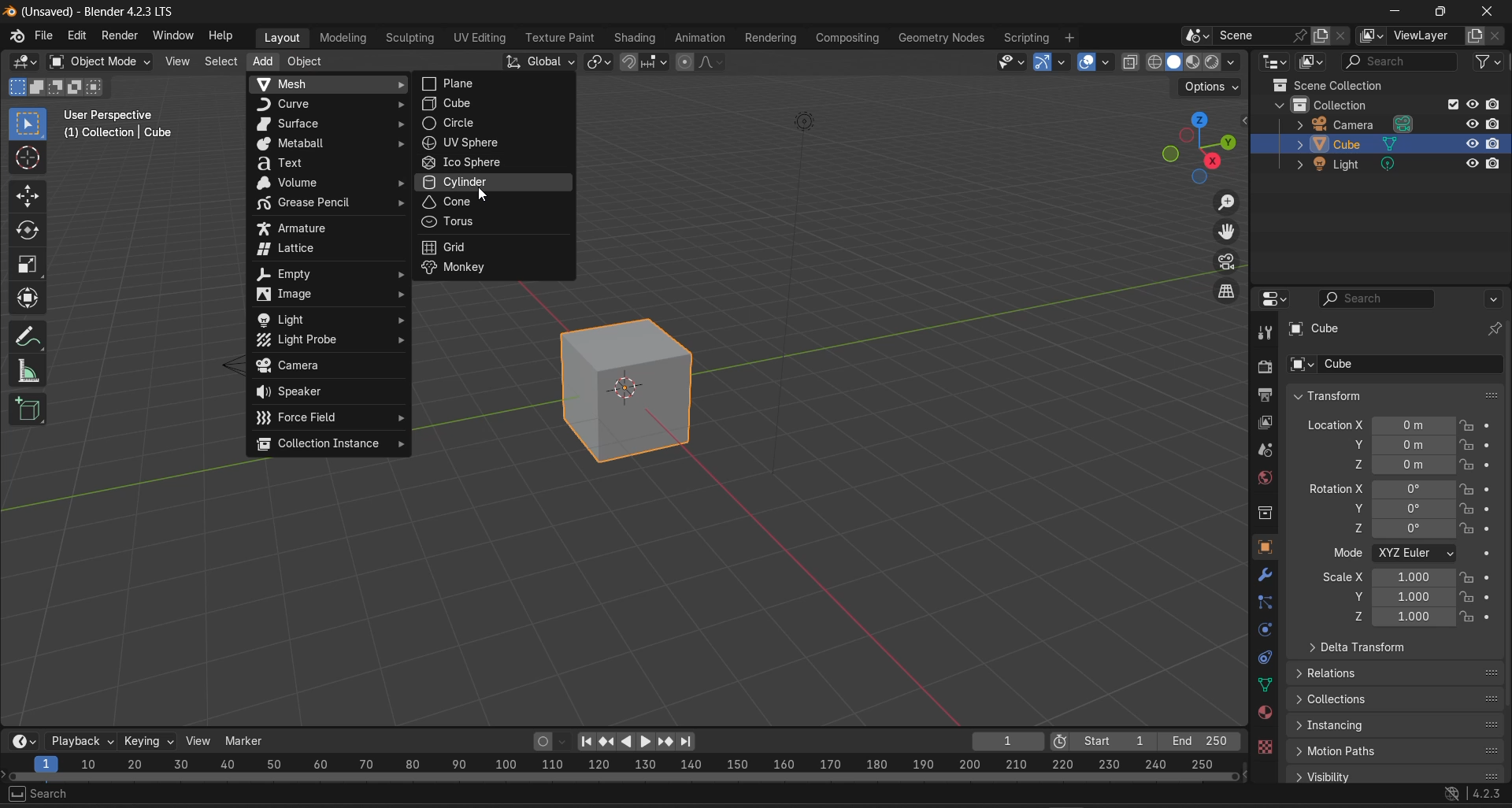  I want to click on name object data-block, so click(1410, 364).